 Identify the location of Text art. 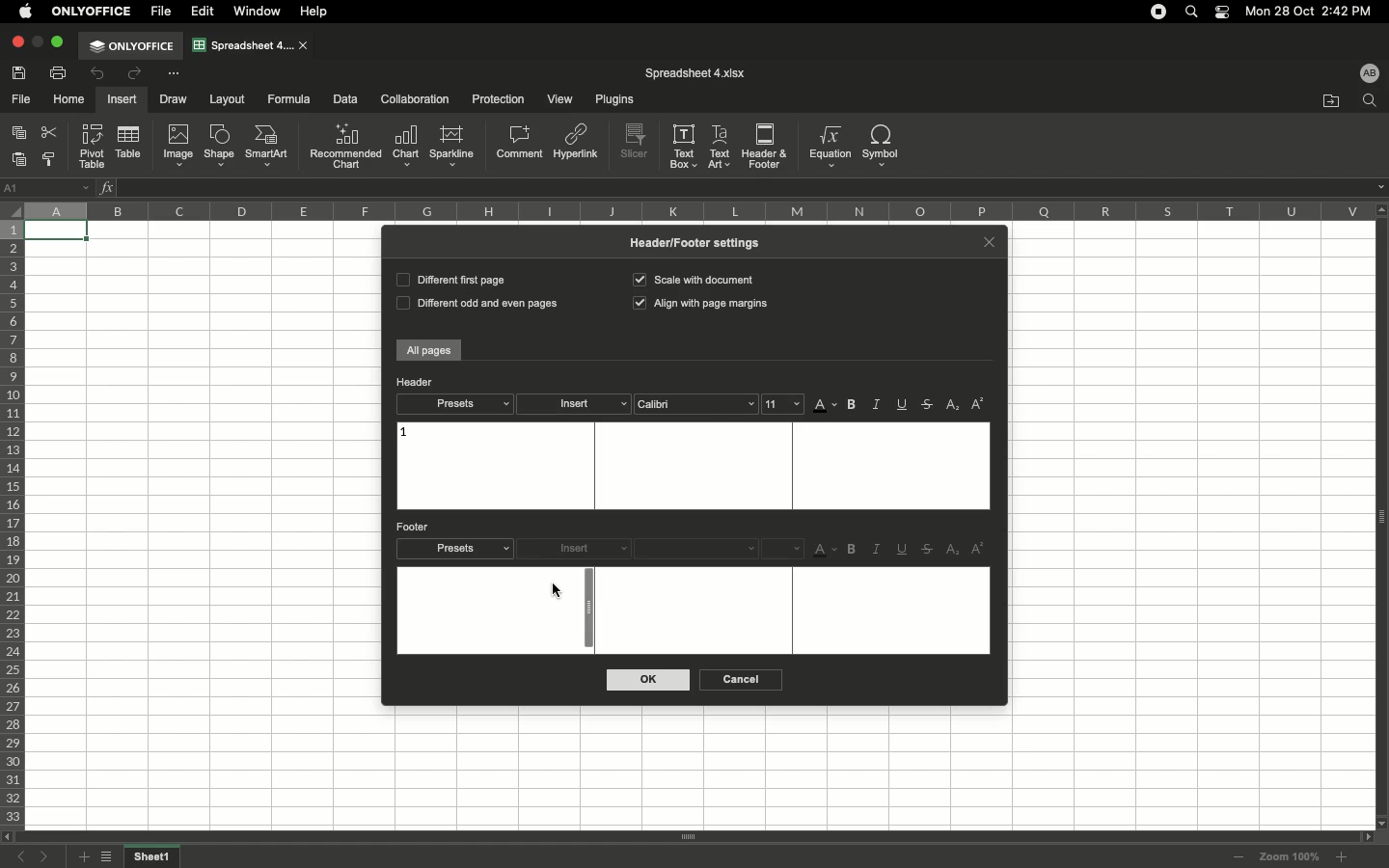
(721, 145).